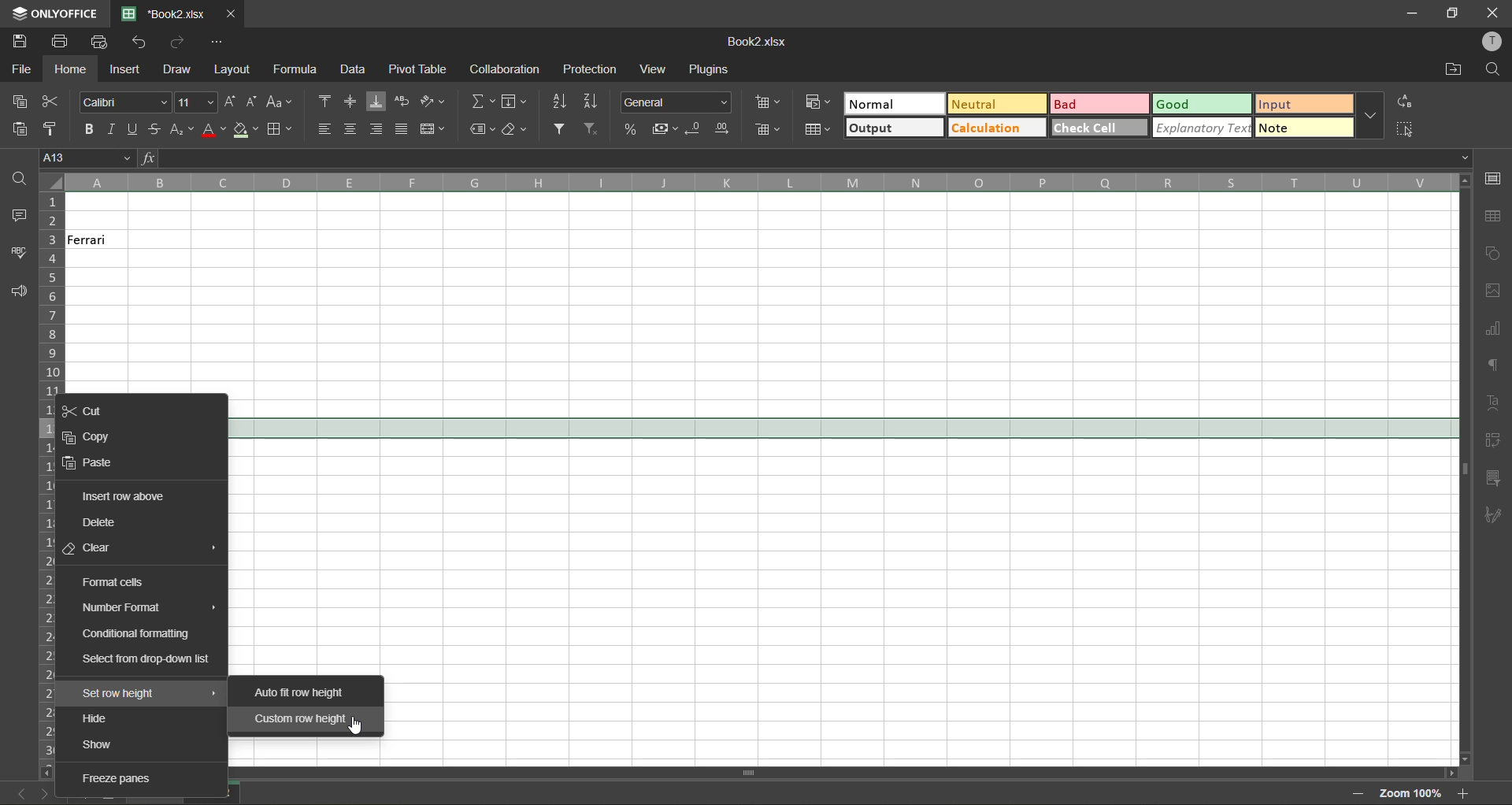 The height and width of the screenshot is (805, 1512). Describe the element at coordinates (151, 658) in the screenshot. I see `select from drop down list` at that location.